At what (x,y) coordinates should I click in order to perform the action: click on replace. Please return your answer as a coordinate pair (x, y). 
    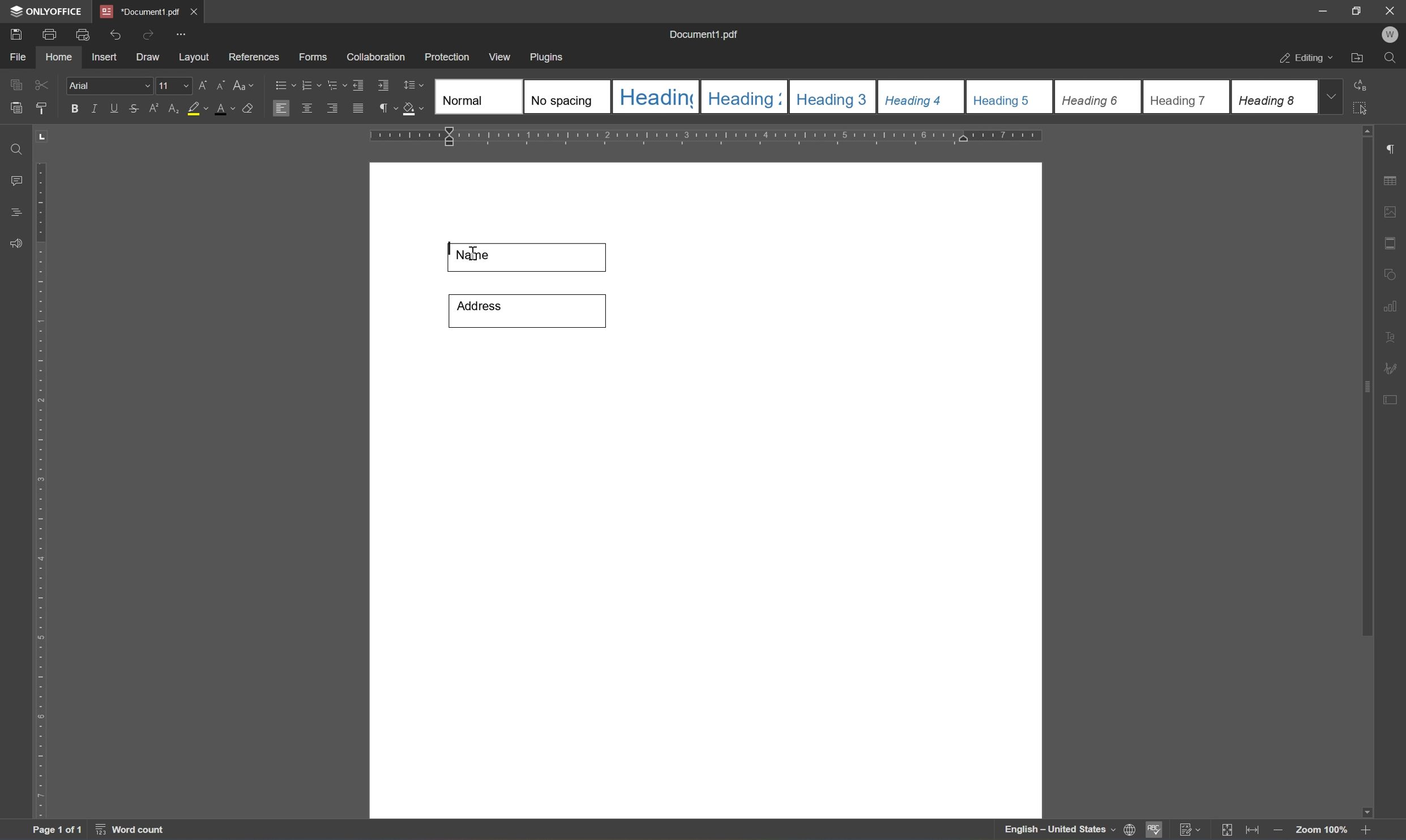
    Looking at the image, I should click on (1365, 85).